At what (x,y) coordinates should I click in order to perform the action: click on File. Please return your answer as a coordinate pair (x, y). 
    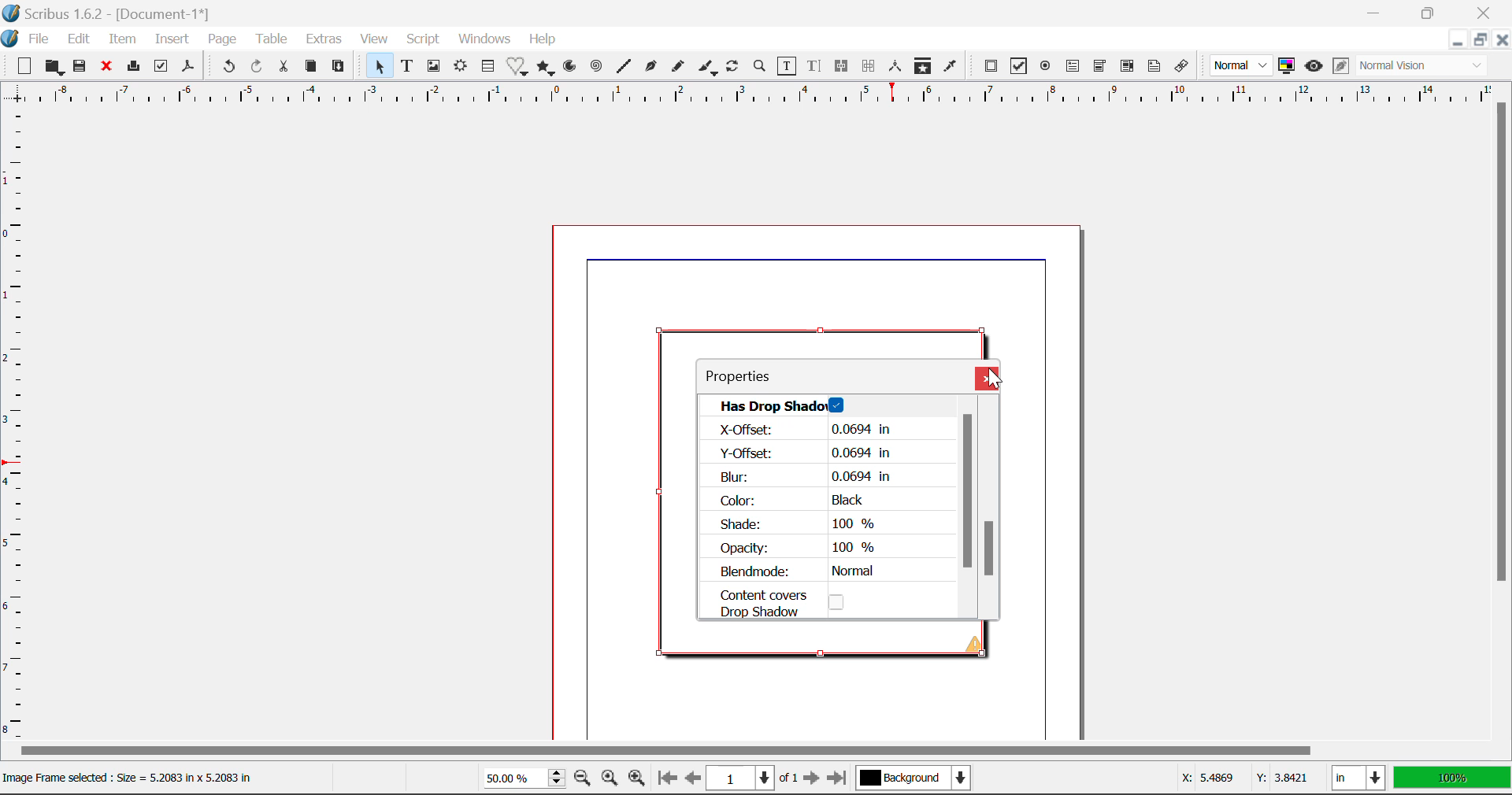
    Looking at the image, I should click on (39, 39).